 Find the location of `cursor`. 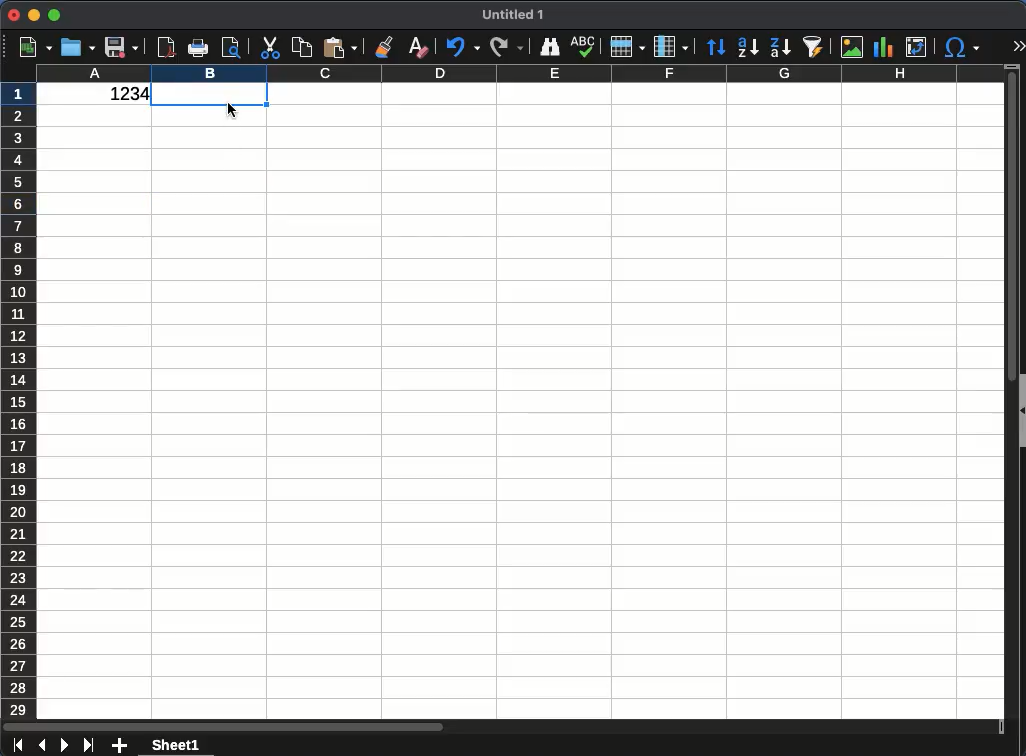

cursor is located at coordinates (235, 119).